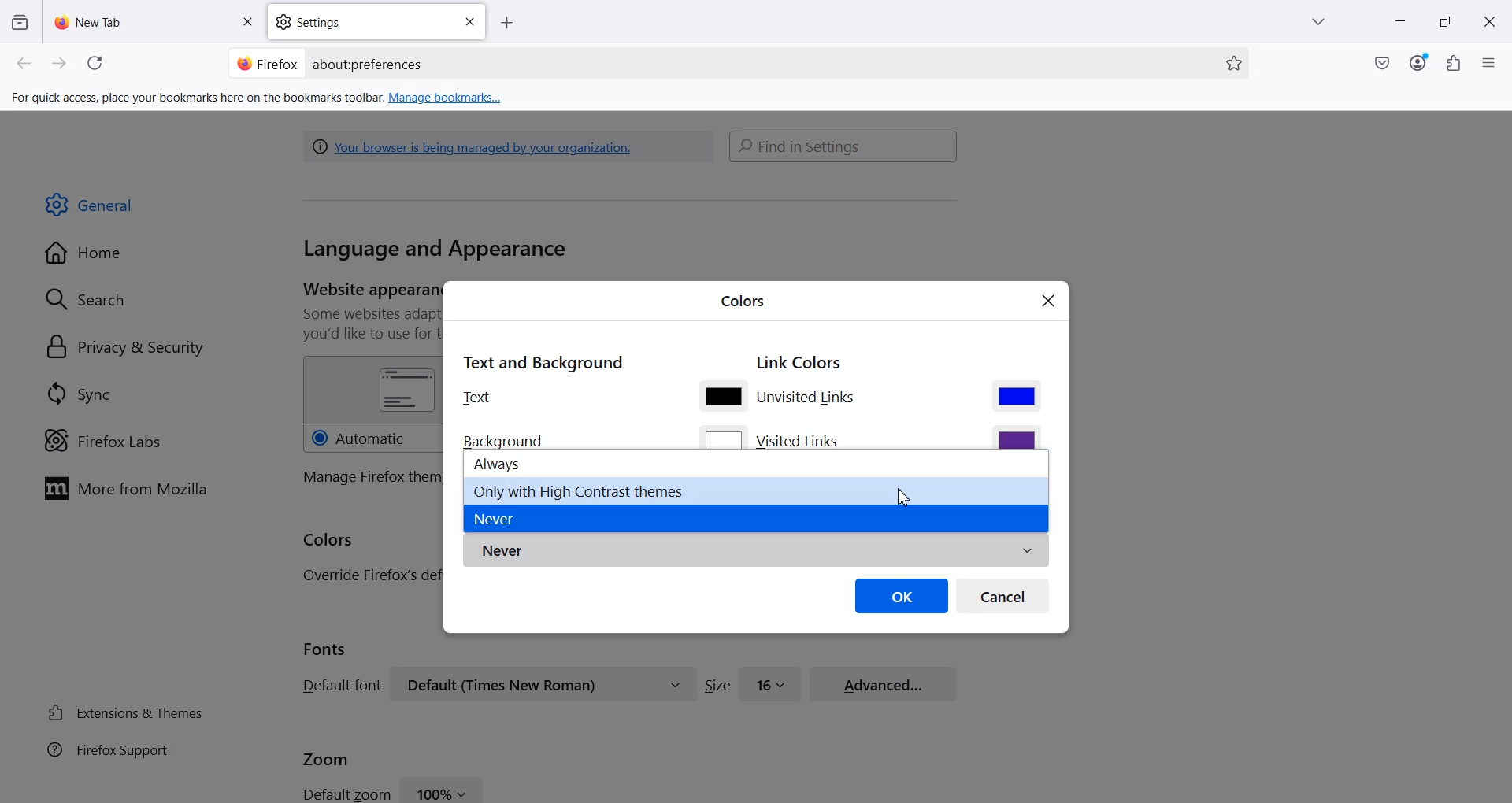 Image resolution: width=1512 pixels, height=803 pixels. What do you see at coordinates (345, 793) in the screenshot?
I see `Default zoom` at bounding box center [345, 793].